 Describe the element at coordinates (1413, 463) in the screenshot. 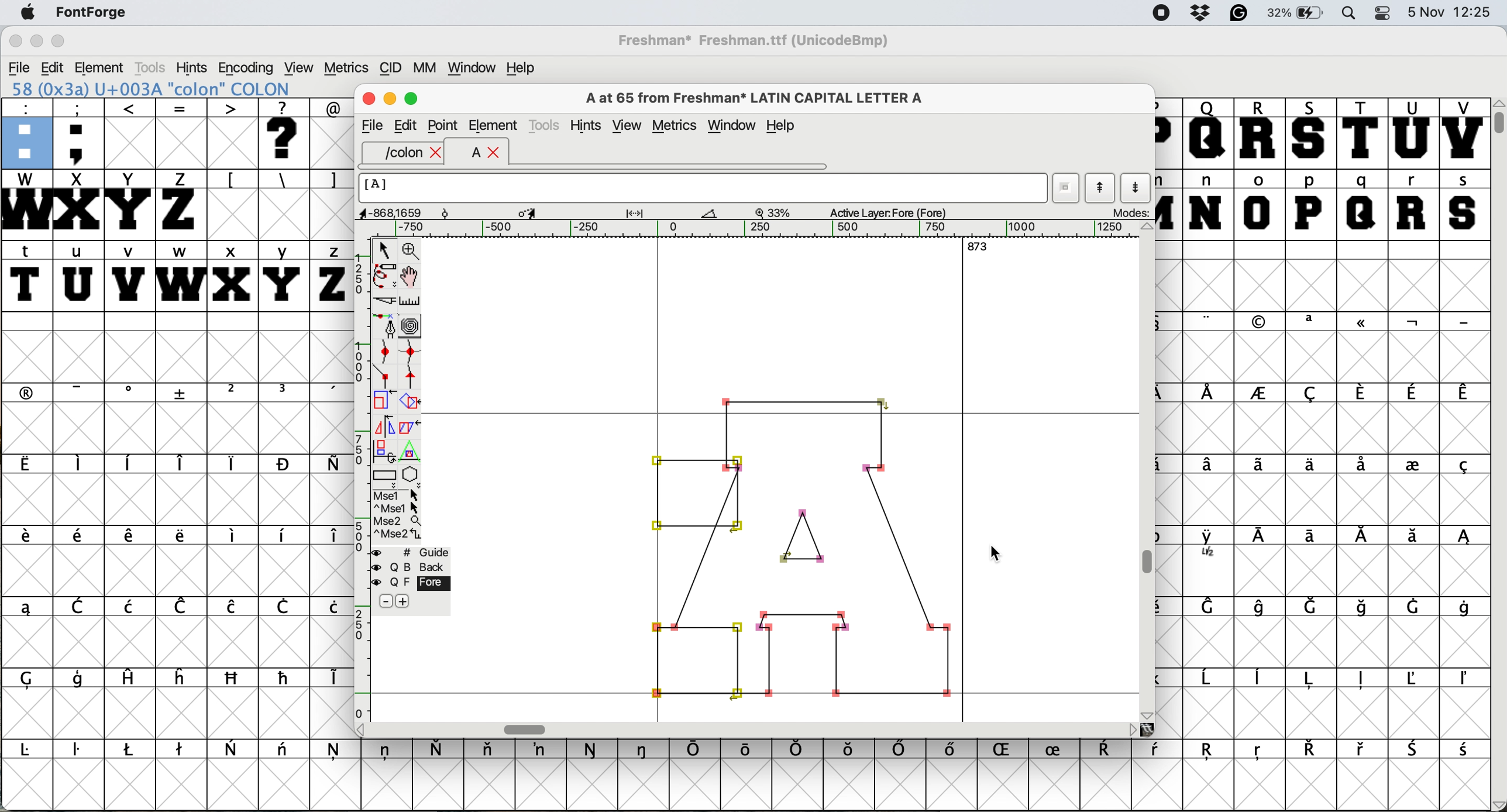

I see `symbol` at that location.